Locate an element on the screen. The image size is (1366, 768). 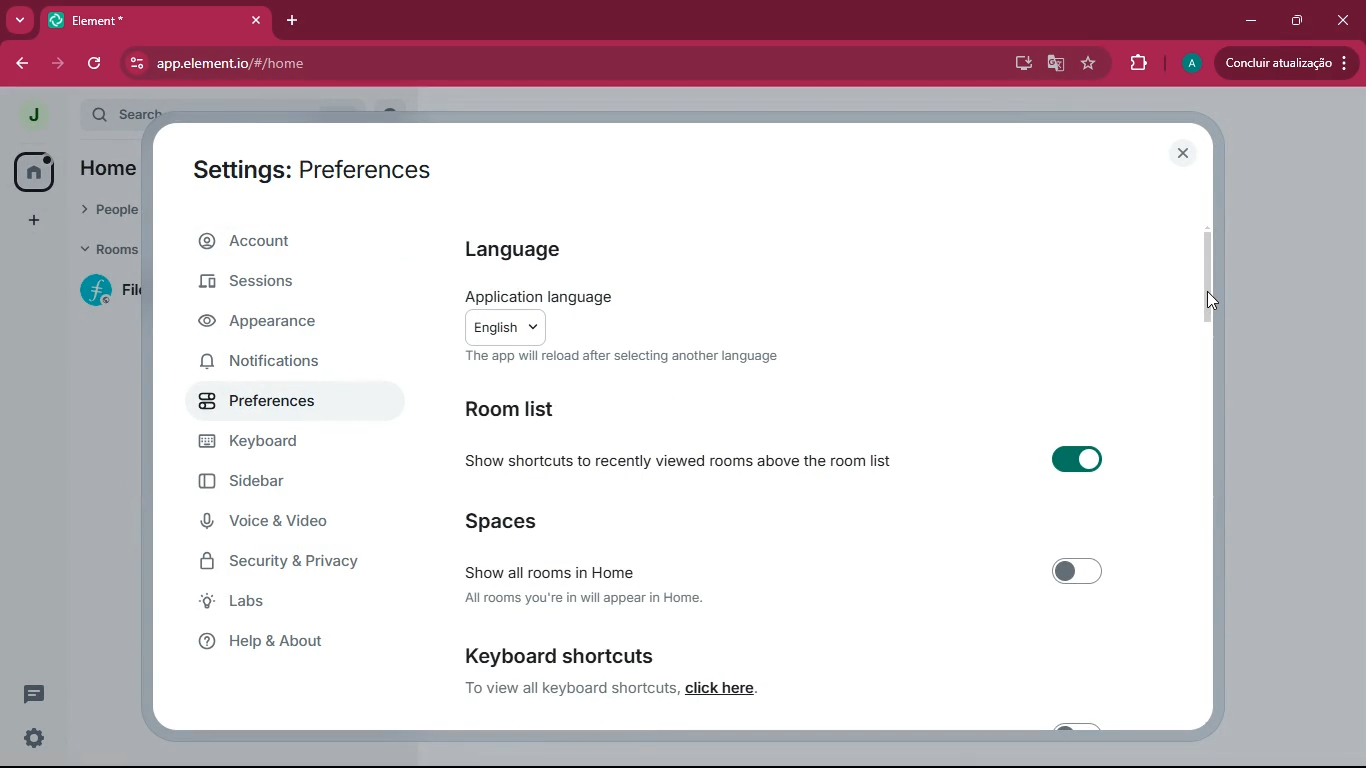
favourite is located at coordinates (1090, 65).